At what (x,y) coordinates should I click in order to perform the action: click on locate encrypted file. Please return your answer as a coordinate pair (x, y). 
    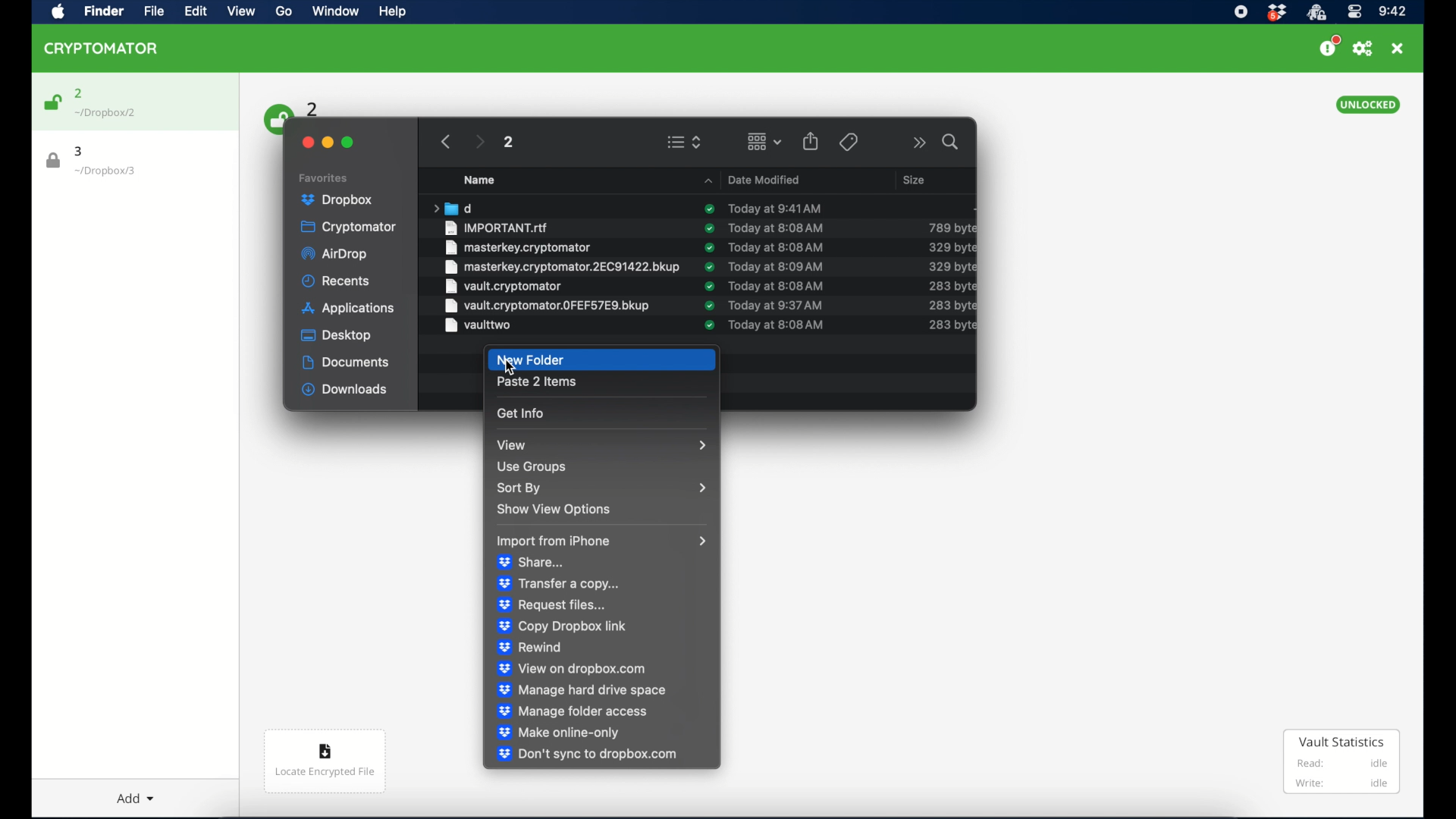
    Looking at the image, I should click on (325, 761).